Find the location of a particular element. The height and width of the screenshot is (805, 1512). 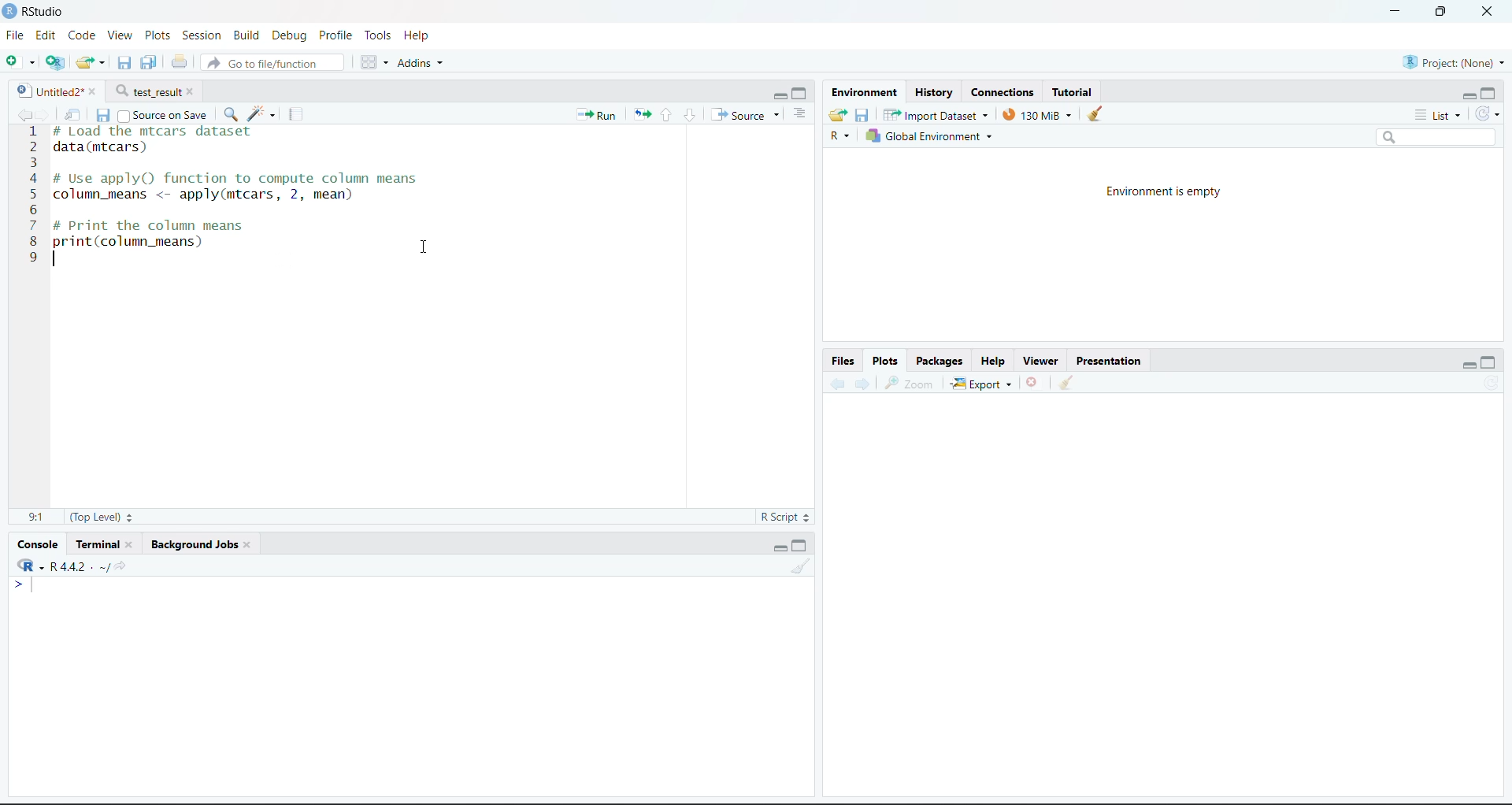

Go forward to the next source location (Ctrl + F10) is located at coordinates (49, 114).